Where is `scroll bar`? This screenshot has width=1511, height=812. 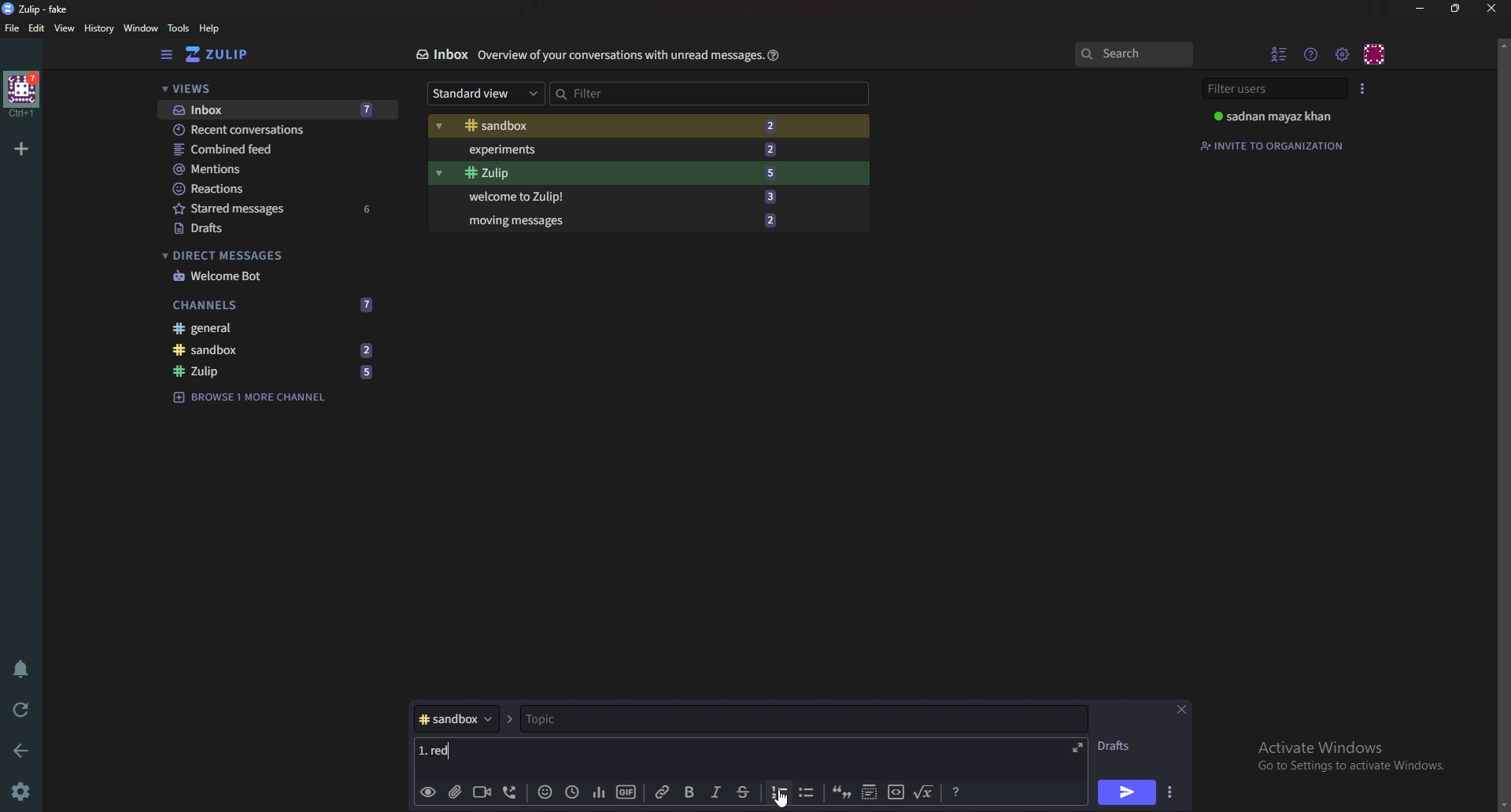 scroll bar is located at coordinates (1503, 423).